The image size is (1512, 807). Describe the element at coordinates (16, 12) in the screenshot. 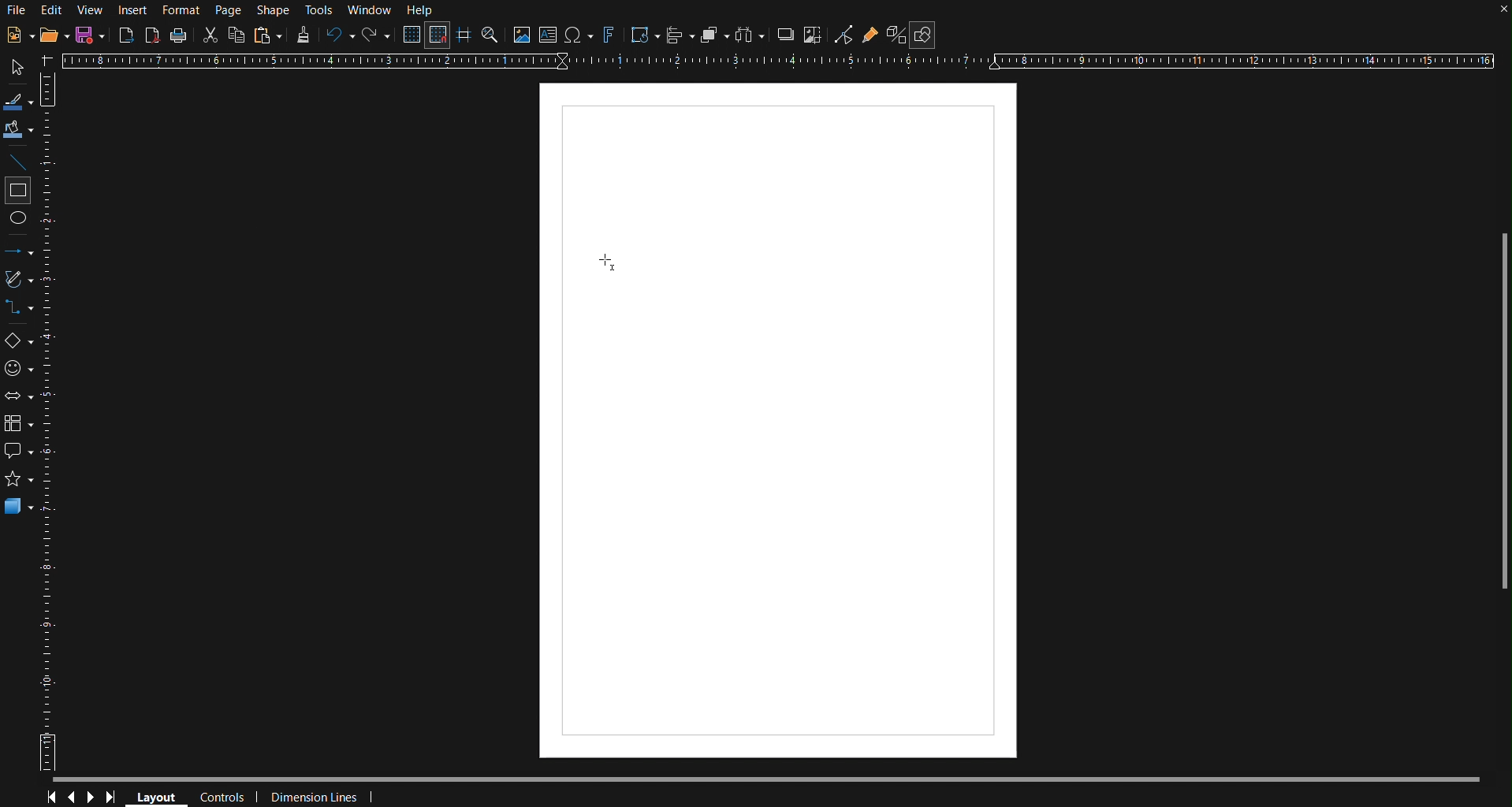

I see `File` at that location.